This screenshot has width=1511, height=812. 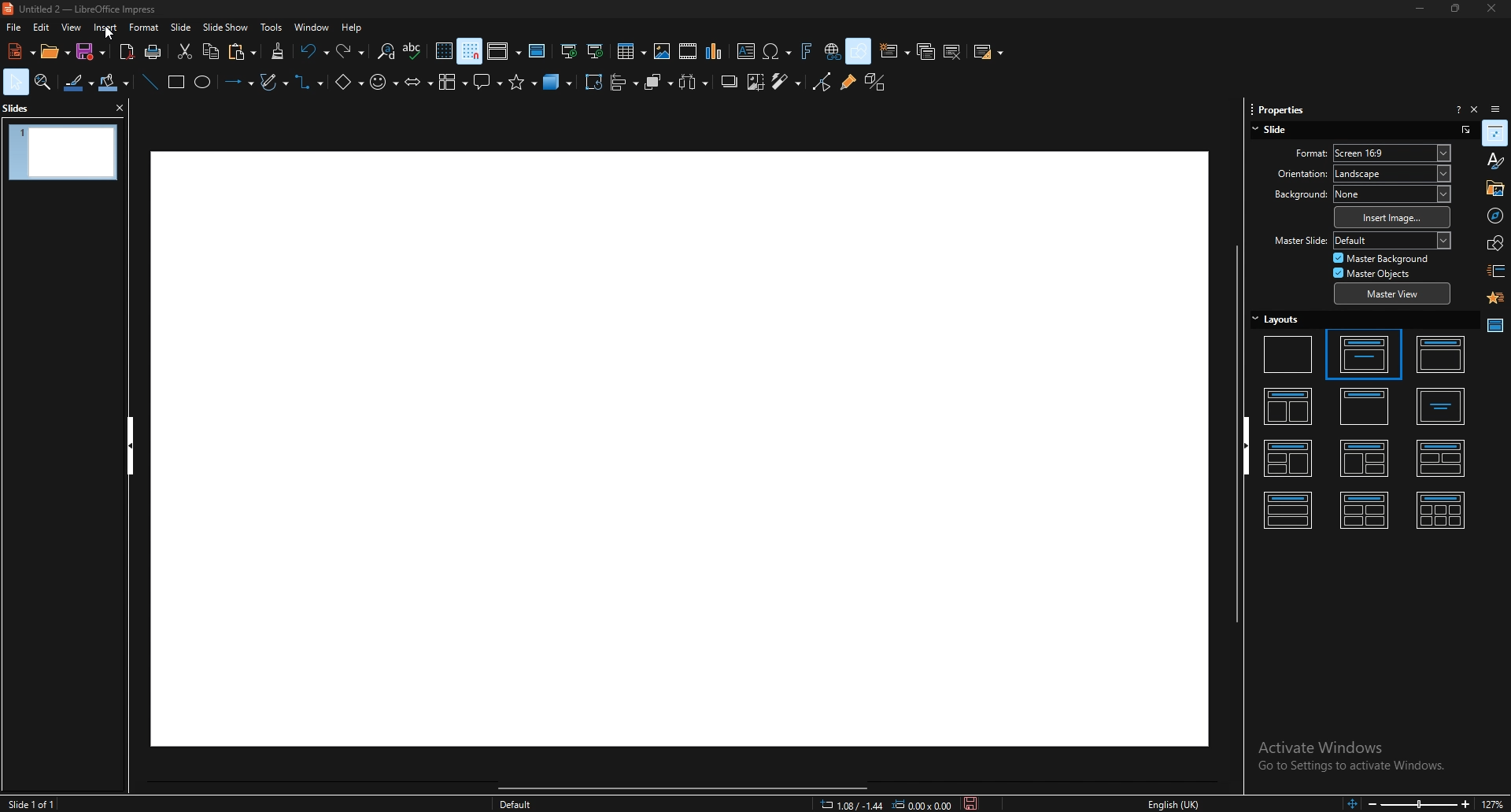 What do you see at coordinates (1441, 355) in the screenshot?
I see `title content` at bounding box center [1441, 355].